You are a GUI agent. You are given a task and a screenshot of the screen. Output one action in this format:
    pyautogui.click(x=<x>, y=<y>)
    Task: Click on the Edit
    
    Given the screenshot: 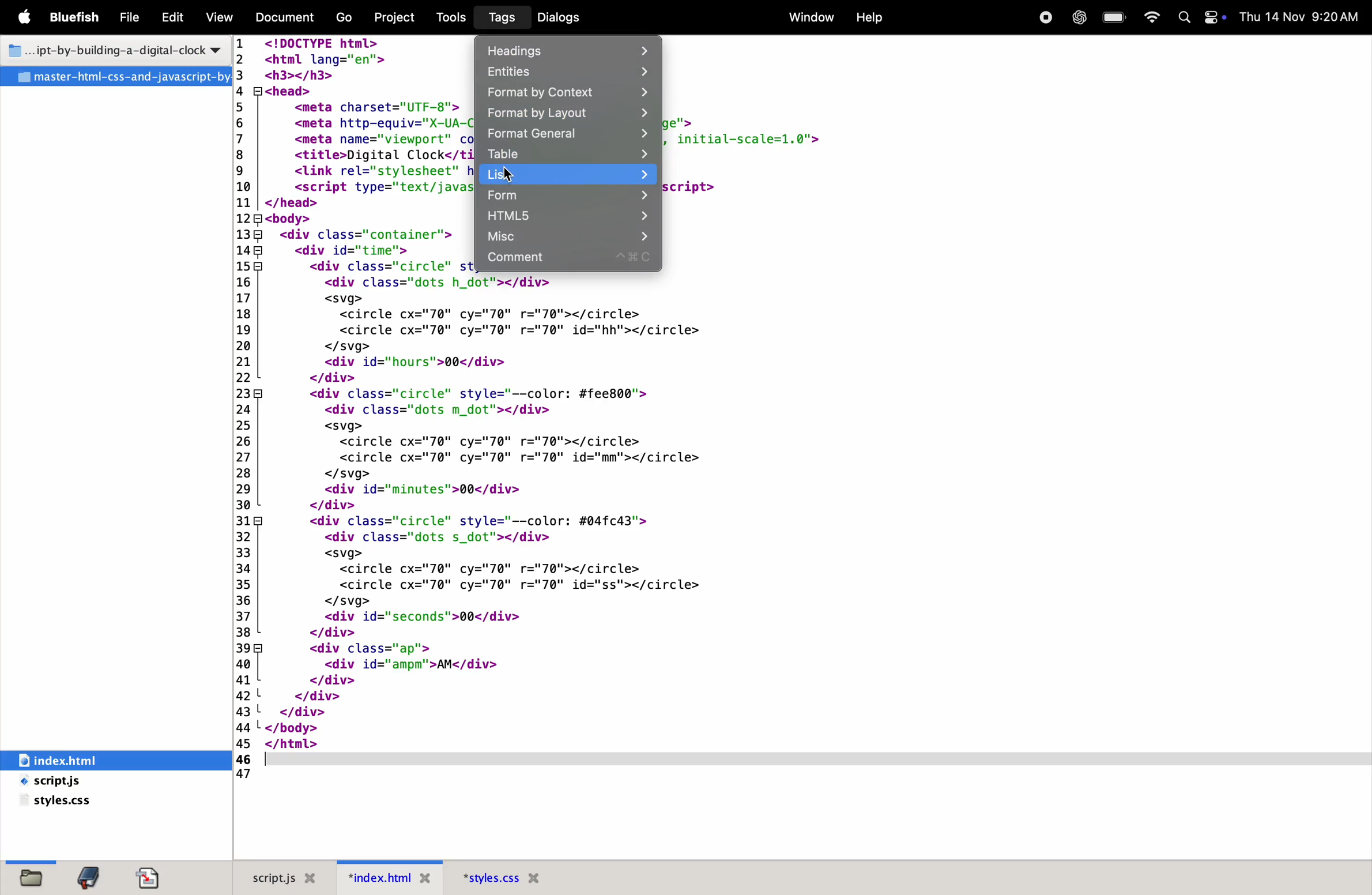 What is the action you would take?
    pyautogui.click(x=172, y=18)
    